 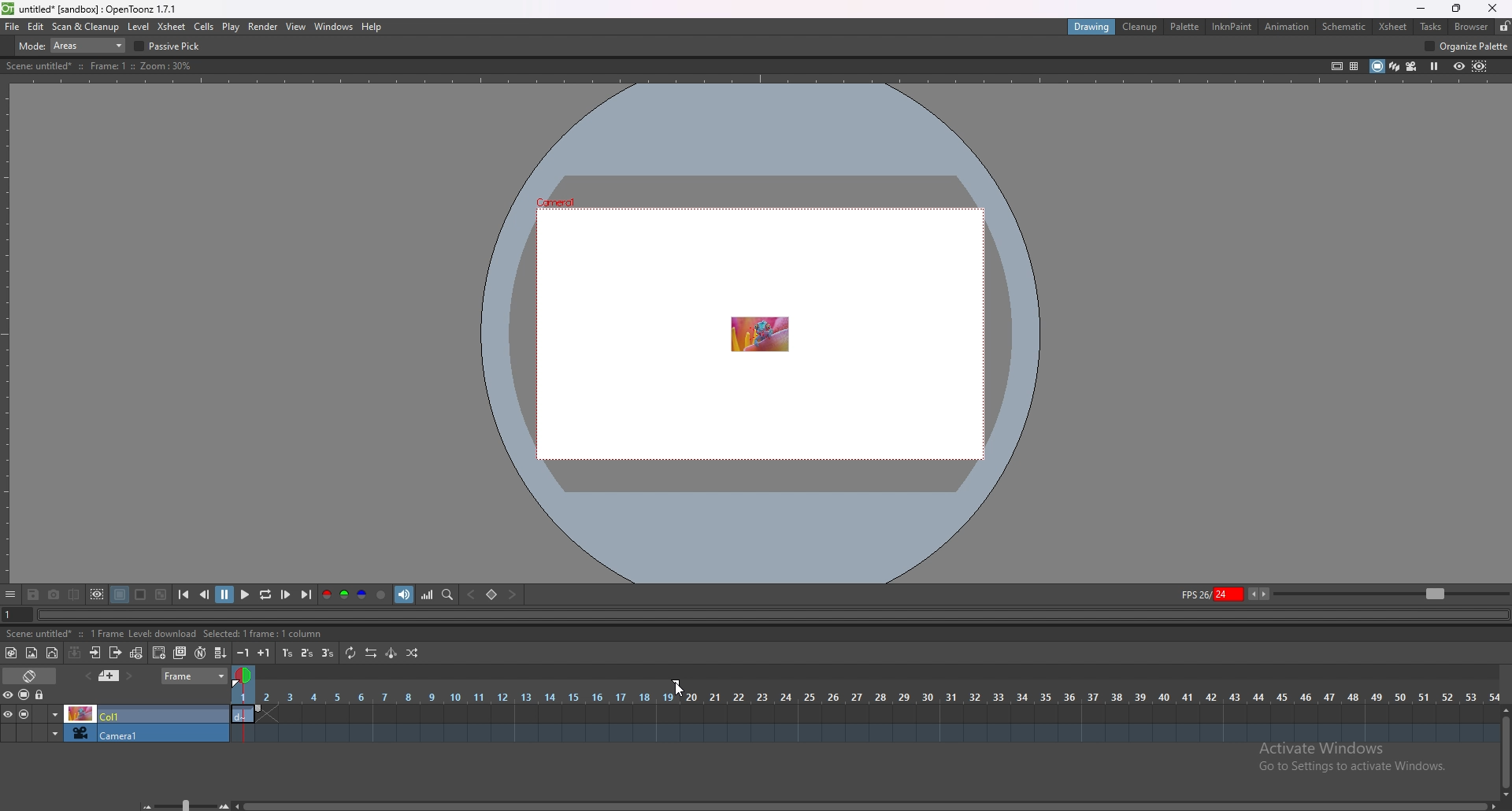 What do you see at coordinates (1456, 9) in the screenshot?
I see `resize` at bounding box center [1456, 9].